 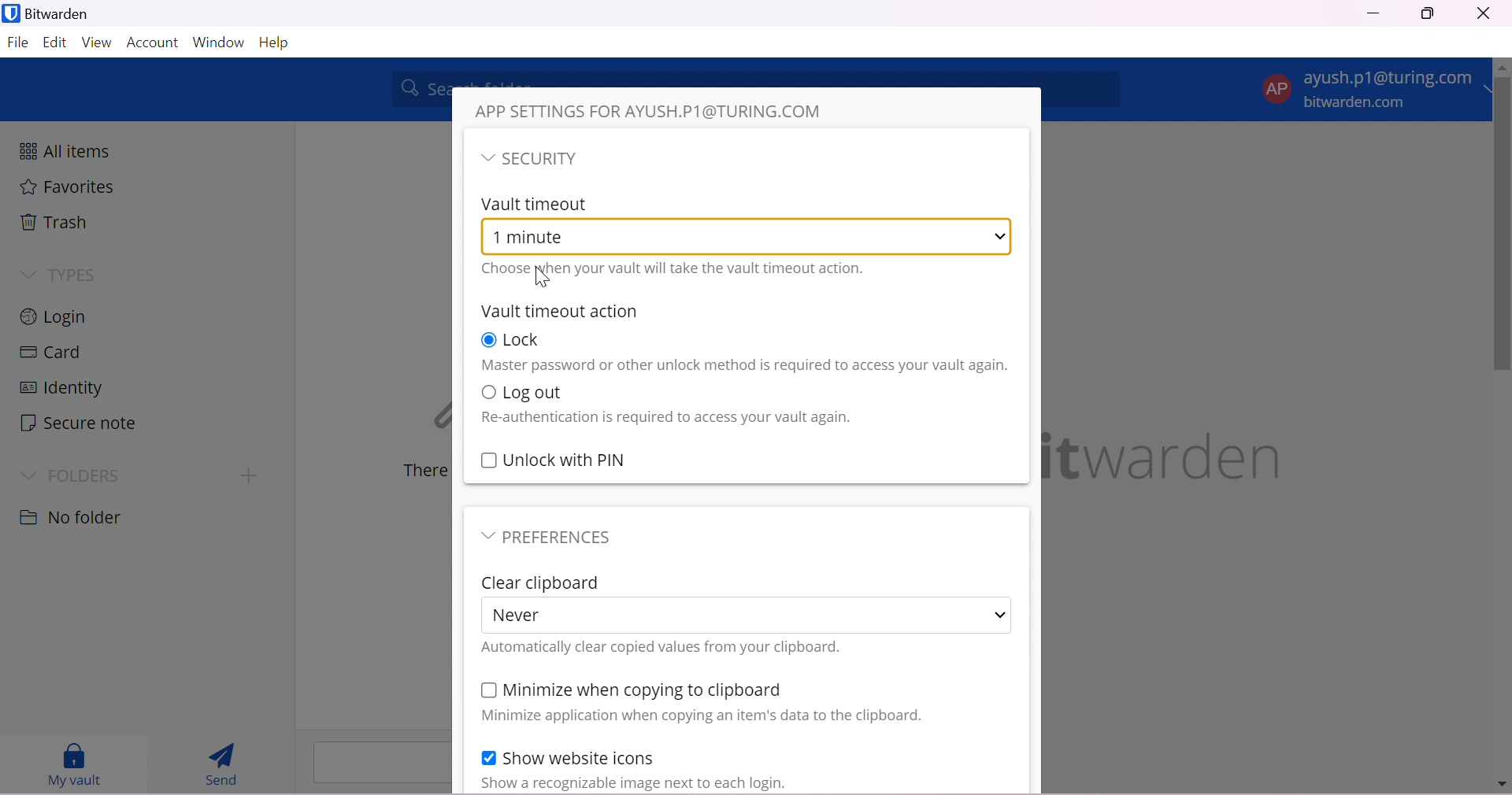 I want to click on Drop Down, so click(x=1002, y=235).